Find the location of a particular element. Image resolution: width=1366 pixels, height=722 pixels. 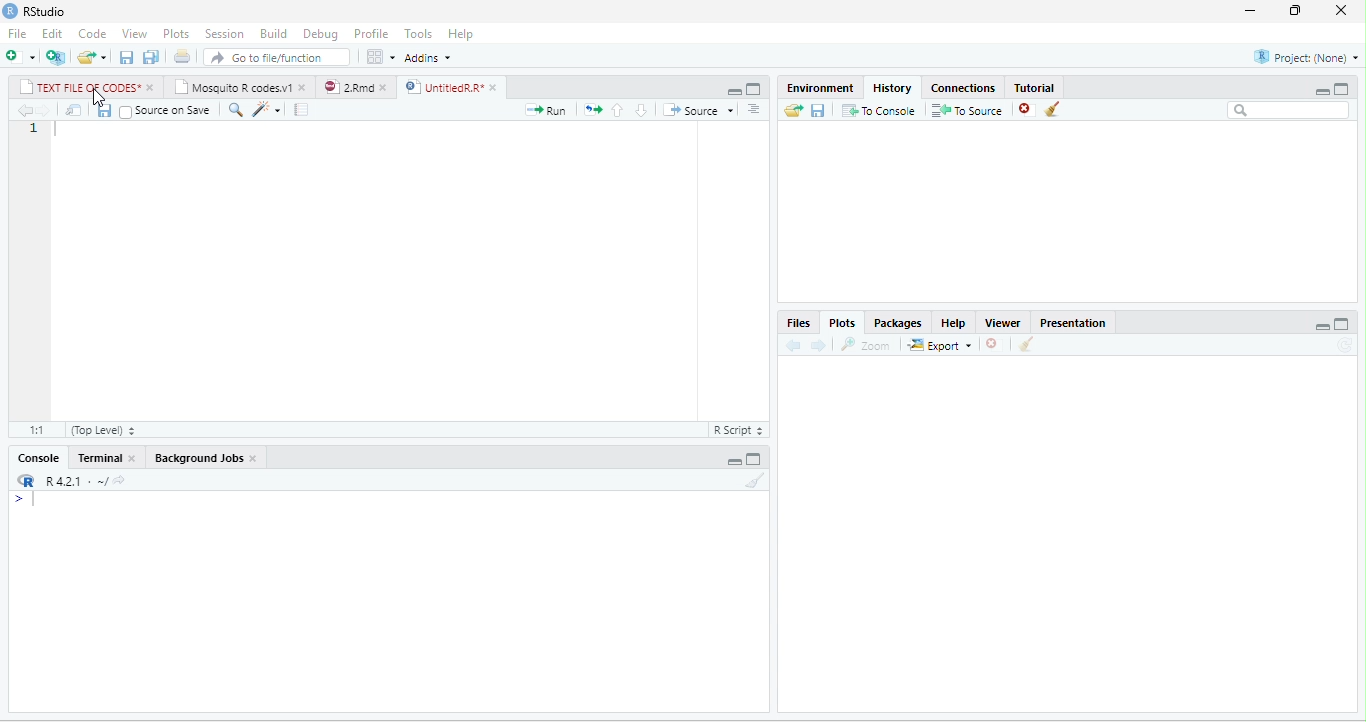

Plots is located at coordinates (843, 323).